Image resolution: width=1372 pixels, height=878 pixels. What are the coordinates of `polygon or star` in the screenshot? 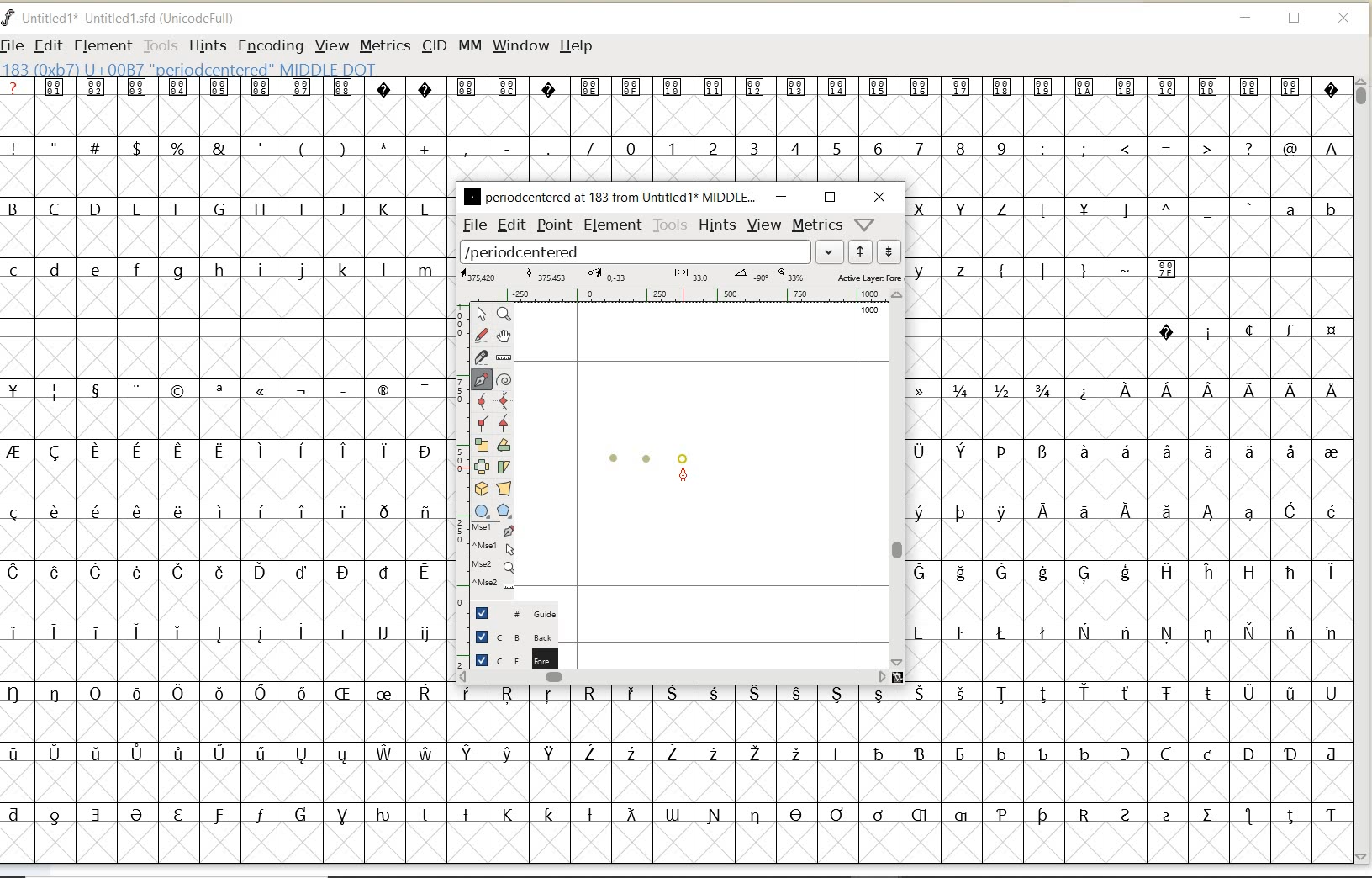 It's located at (506, 511).